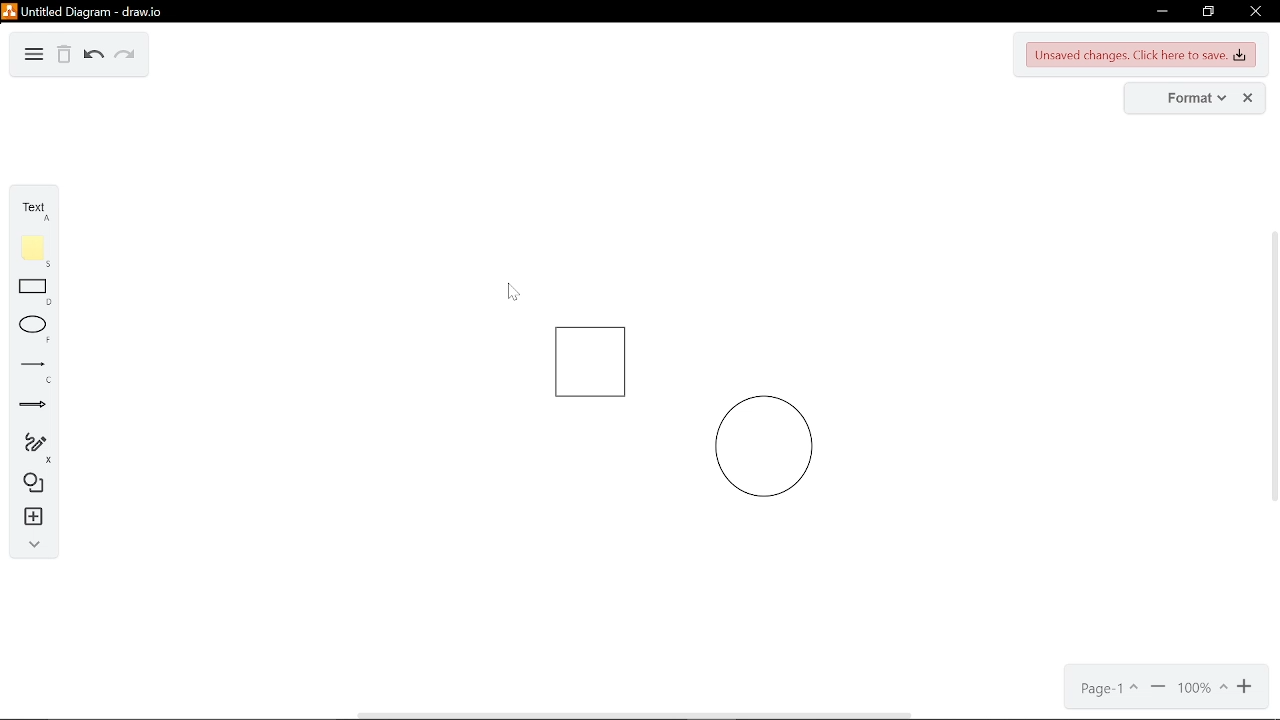 The image size is (1280, 720). Describe the element at coordinates (123, 58) in the screenshot. I see `redo` at that location.